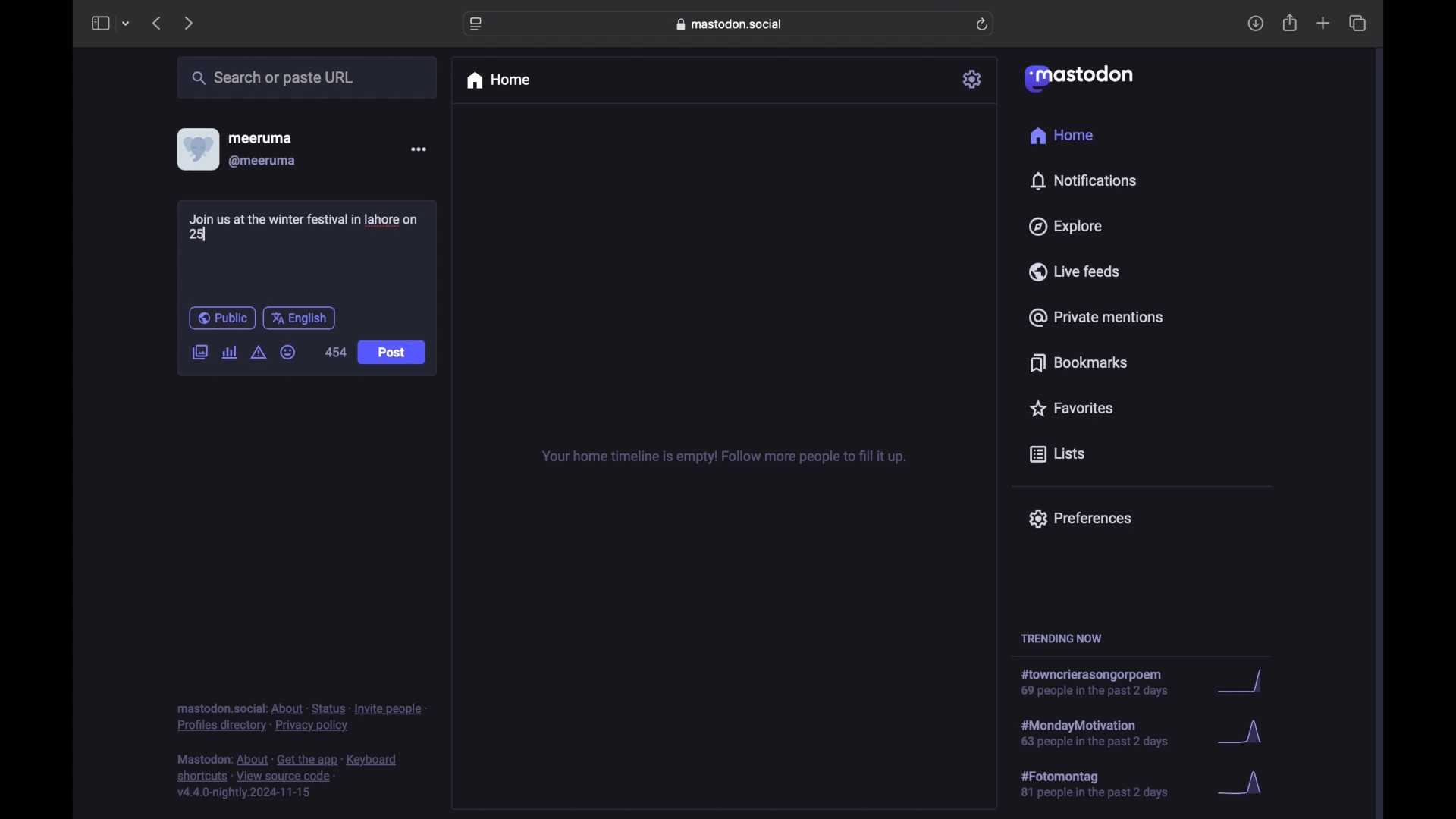 This screenshot has width=1456, height=819. Describe the element at coordinates (984, 25) in the screenshot. I see `refresh` at that location.